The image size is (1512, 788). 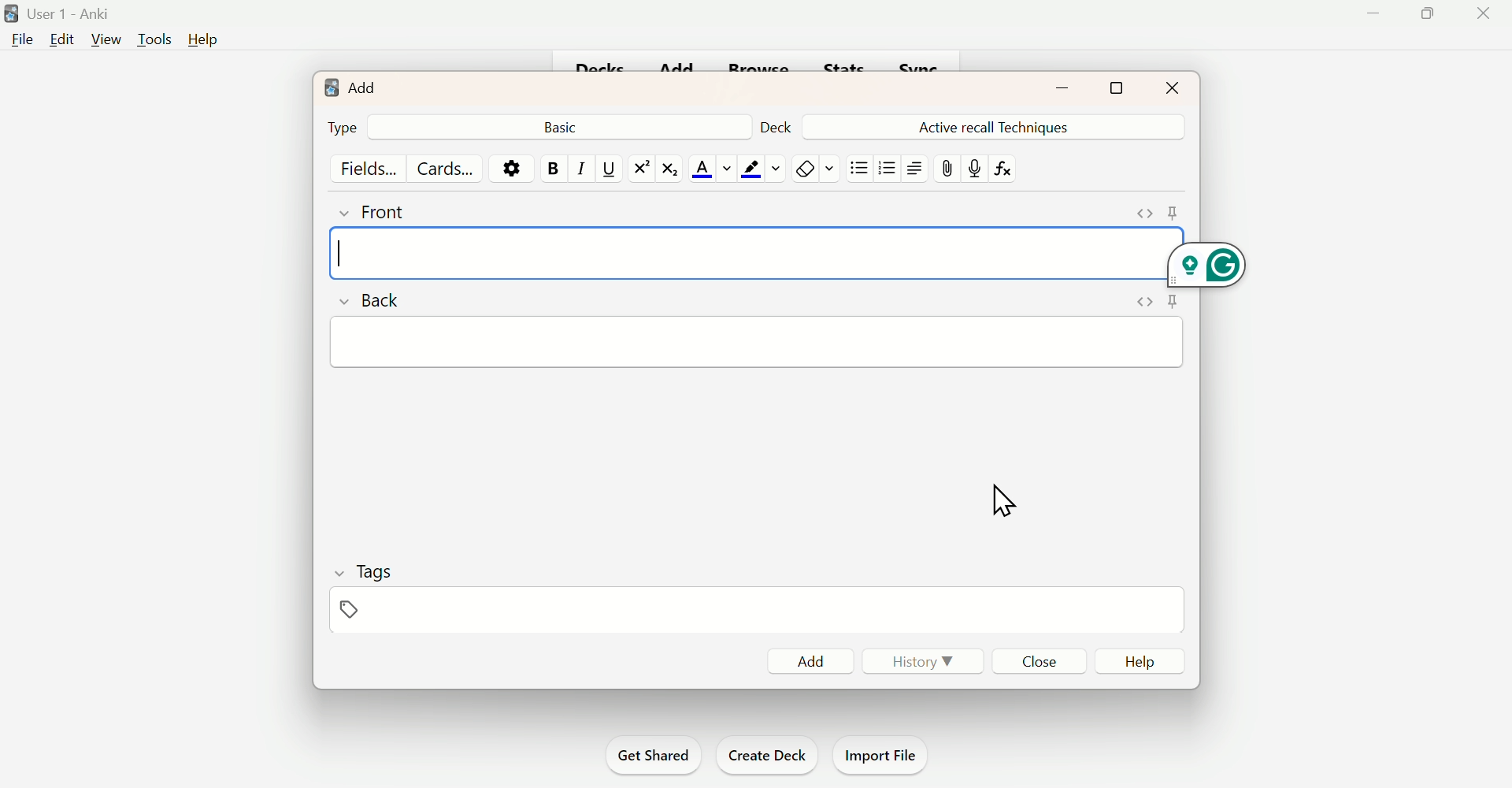 I want to click on Grammarly, so click(x=1207, y=264).